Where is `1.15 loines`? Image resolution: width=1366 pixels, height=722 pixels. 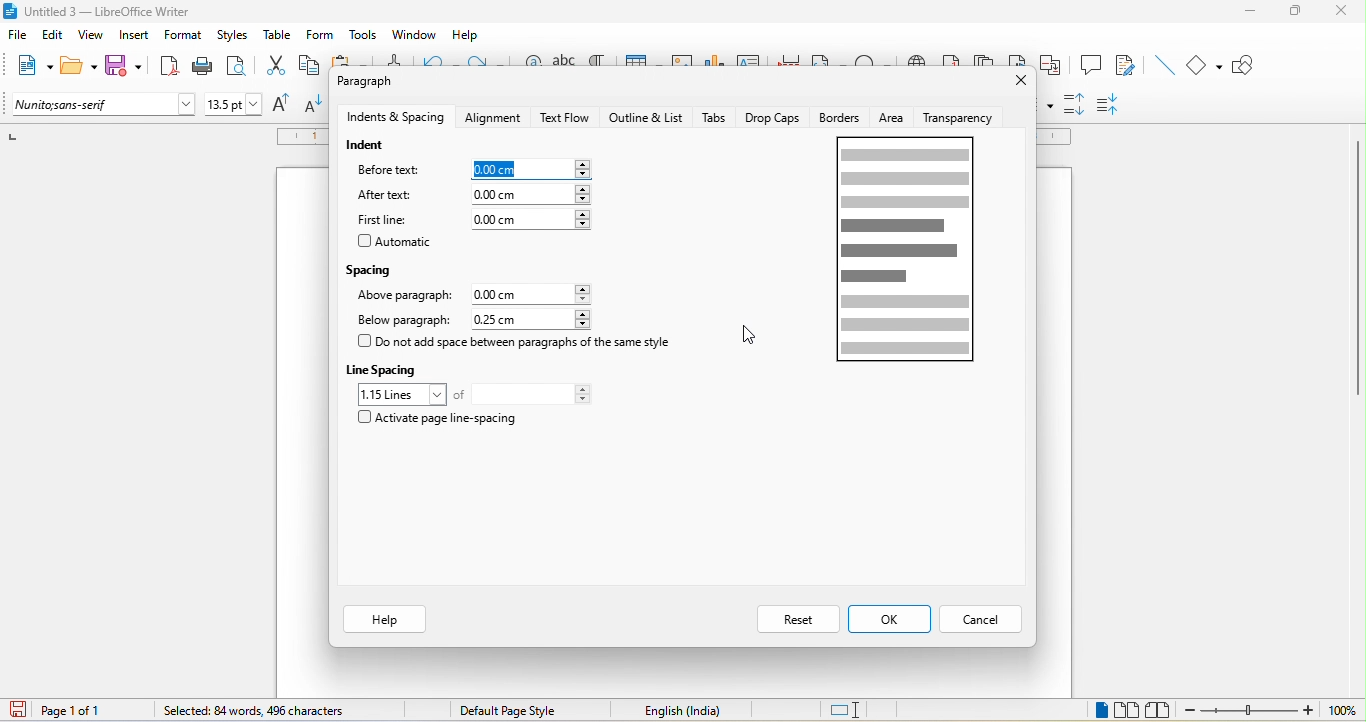
1.15 loines is located at coordinates (401, 393).